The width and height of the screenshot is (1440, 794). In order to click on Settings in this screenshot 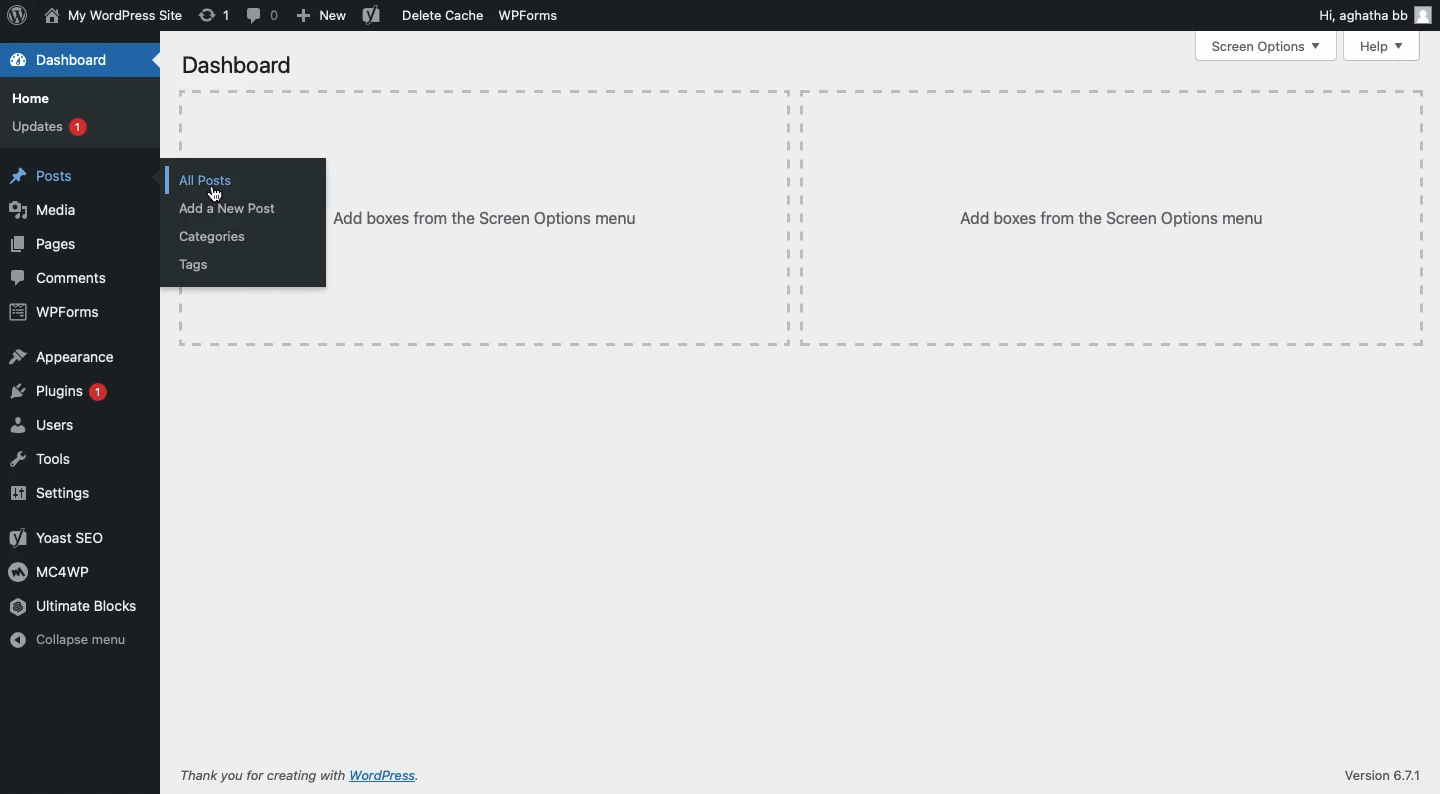, I will do `click(52, 493)`.